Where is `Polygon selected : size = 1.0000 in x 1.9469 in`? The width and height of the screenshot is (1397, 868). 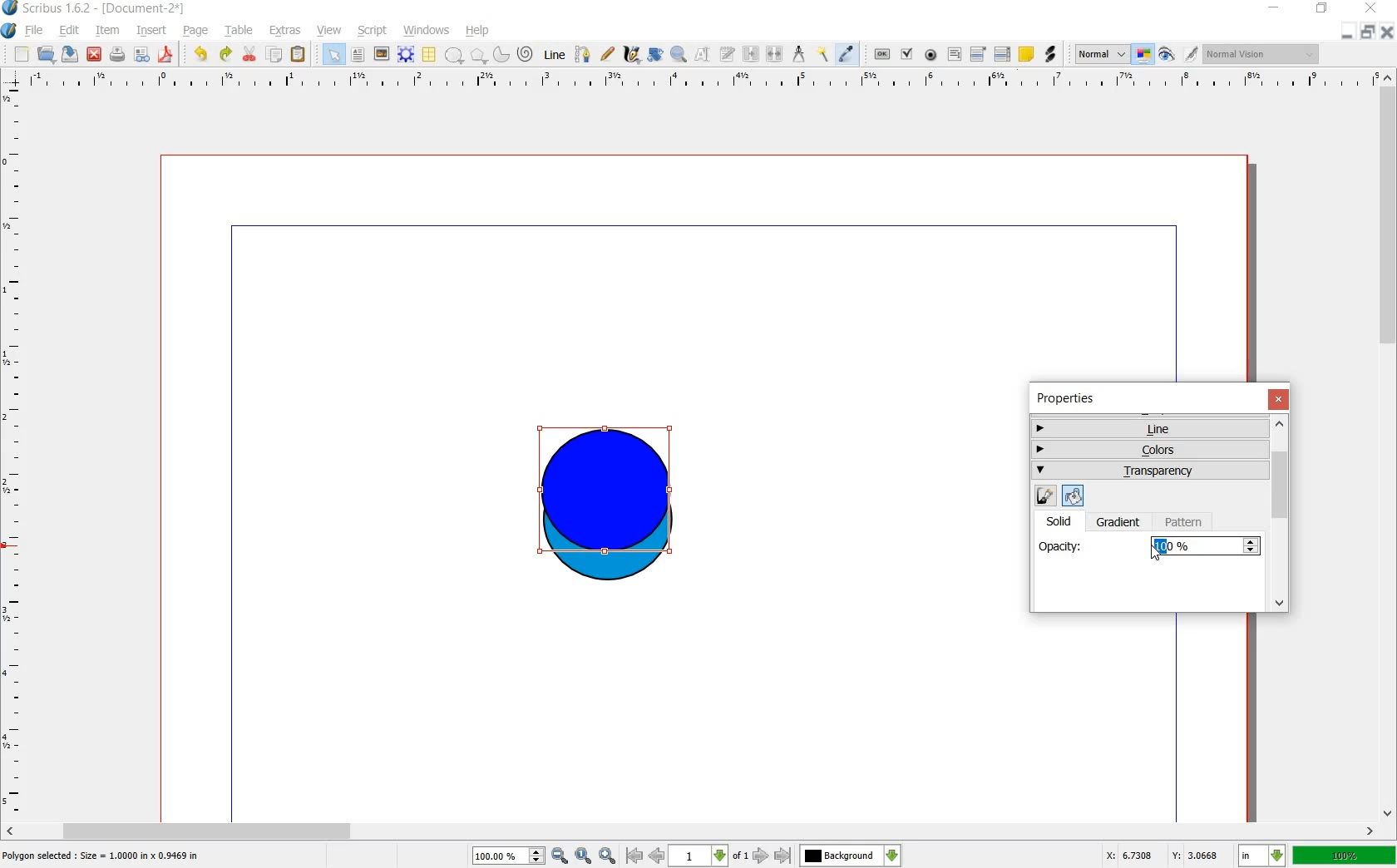 Polygon selected : size = 1.0000 in x 1.9469 in is located at coordinates (102, 855).